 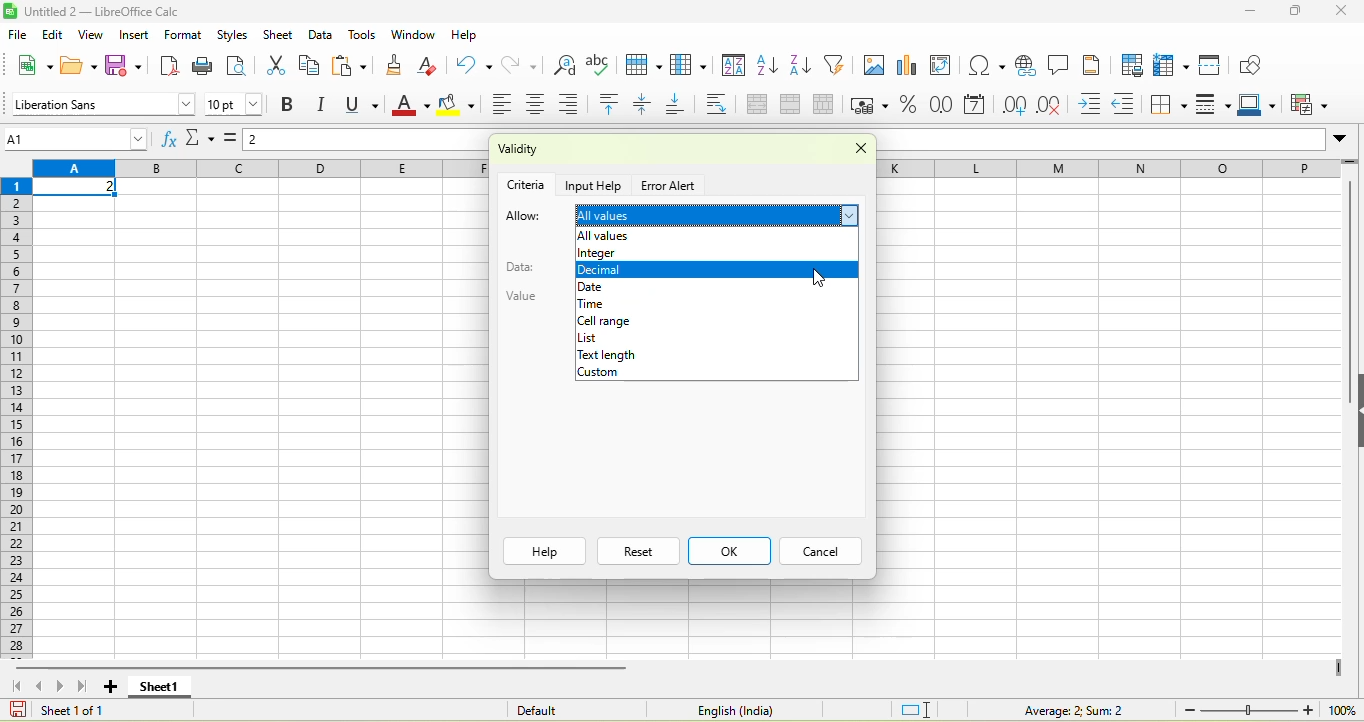 I want to click on auto filter, so click(x=838, y=64).